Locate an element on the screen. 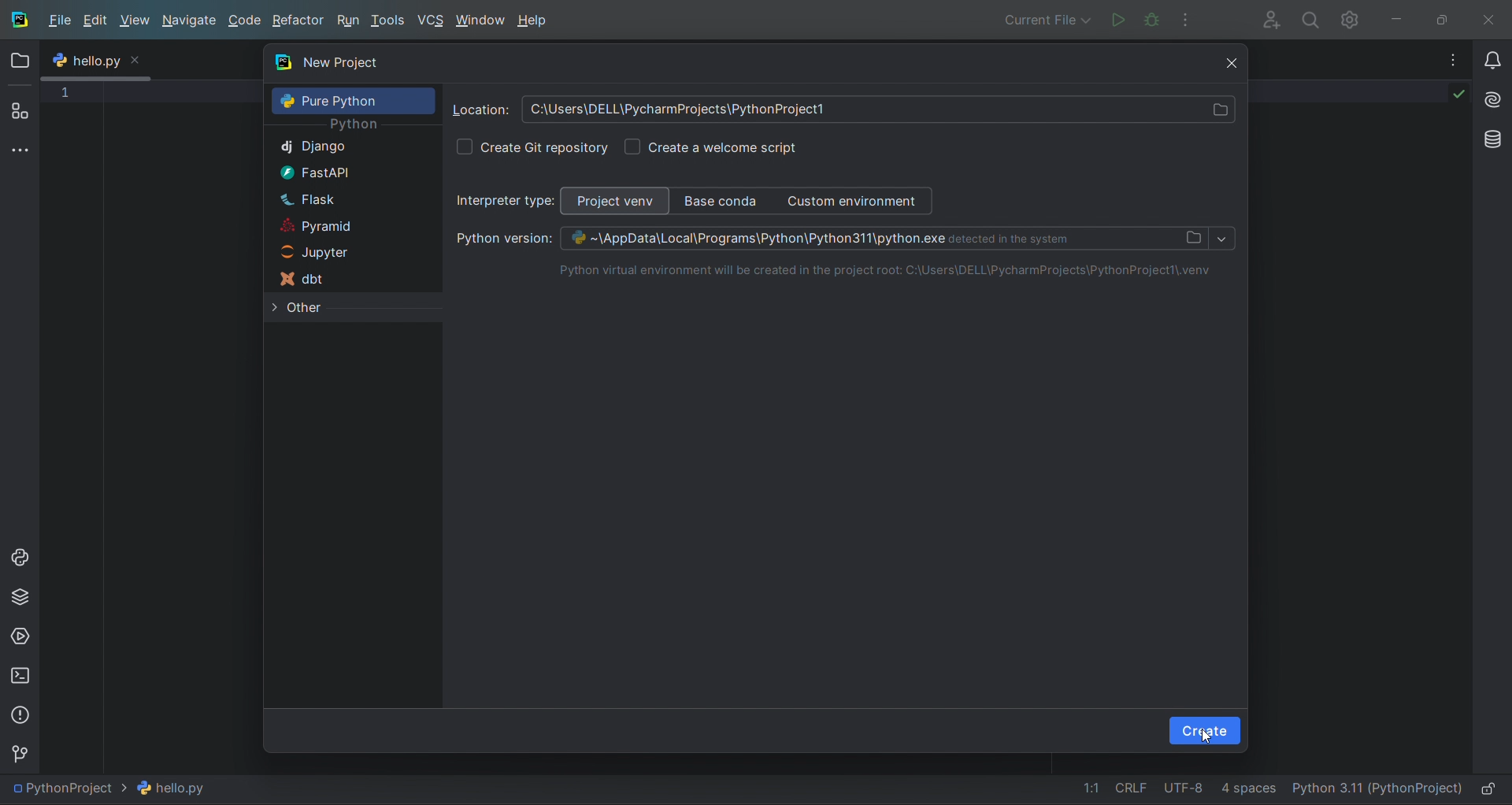 The image size is (1512, 805). flask is located at coordinates (347, 198).